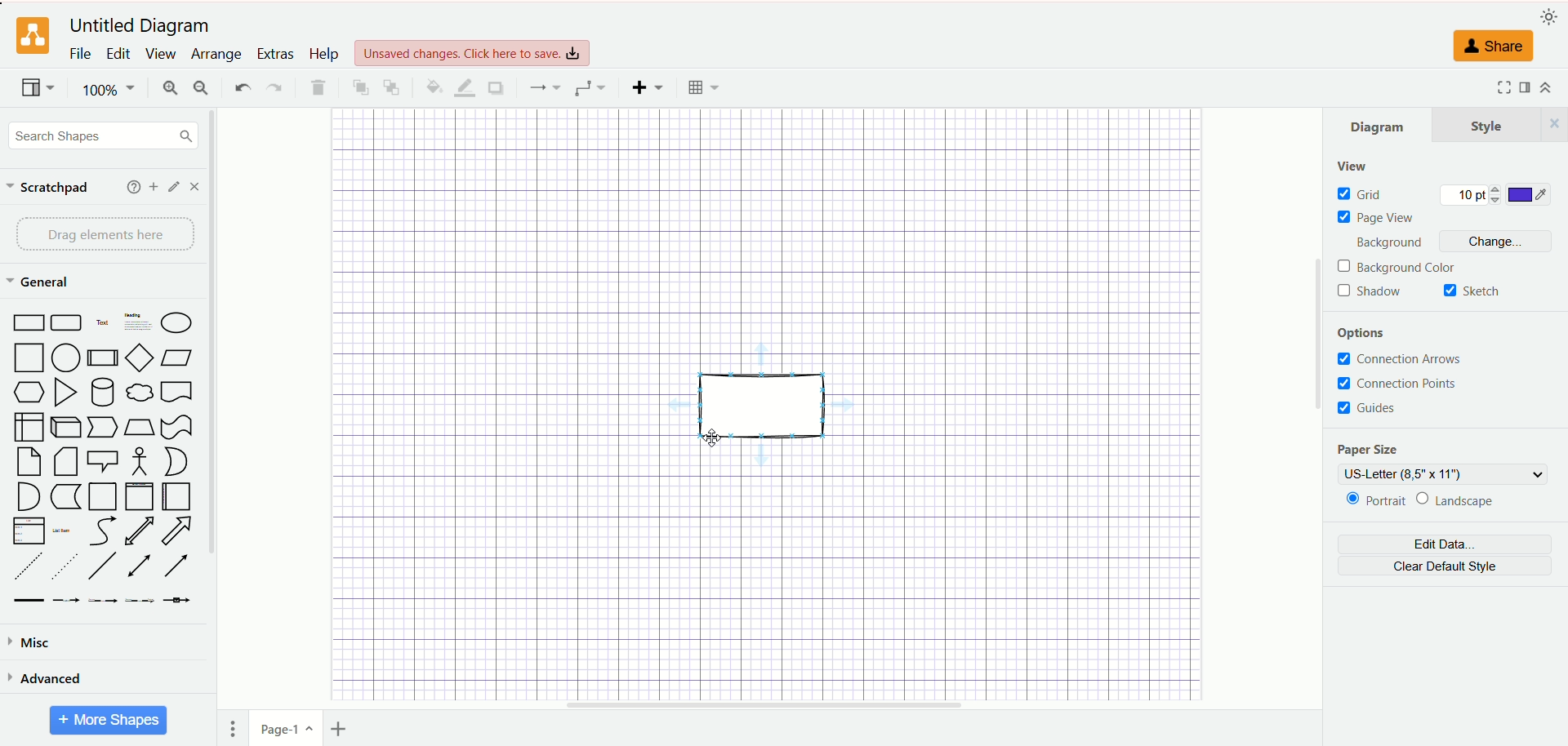 The height and width of the screenshot is (746, 1568). What do you see at coordinates (471, 53) in the screenshot?
I see `Unsaved changes, click here to save` at bounding box center [471, 53].